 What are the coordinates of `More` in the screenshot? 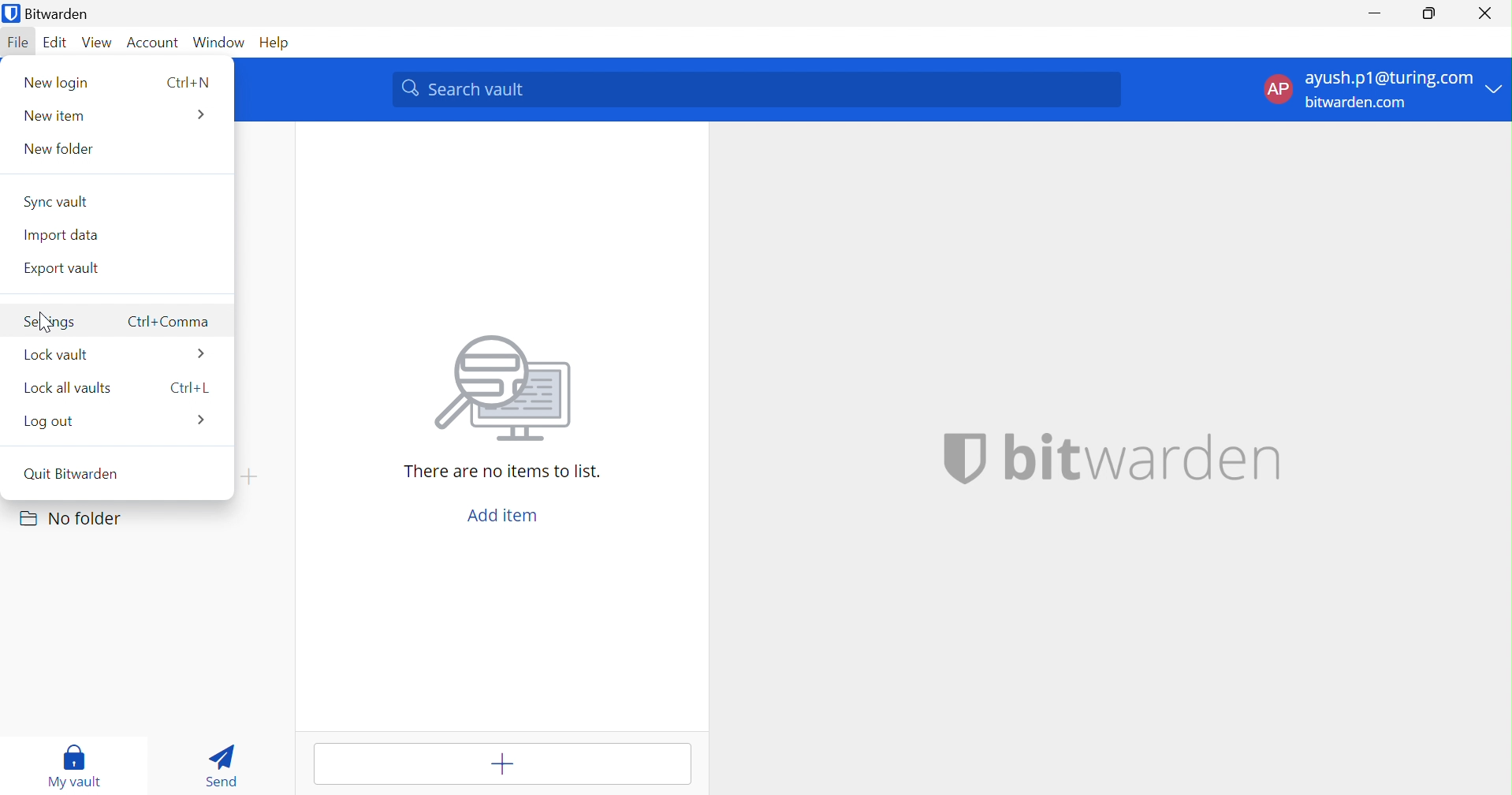 It's located at (201, 114).